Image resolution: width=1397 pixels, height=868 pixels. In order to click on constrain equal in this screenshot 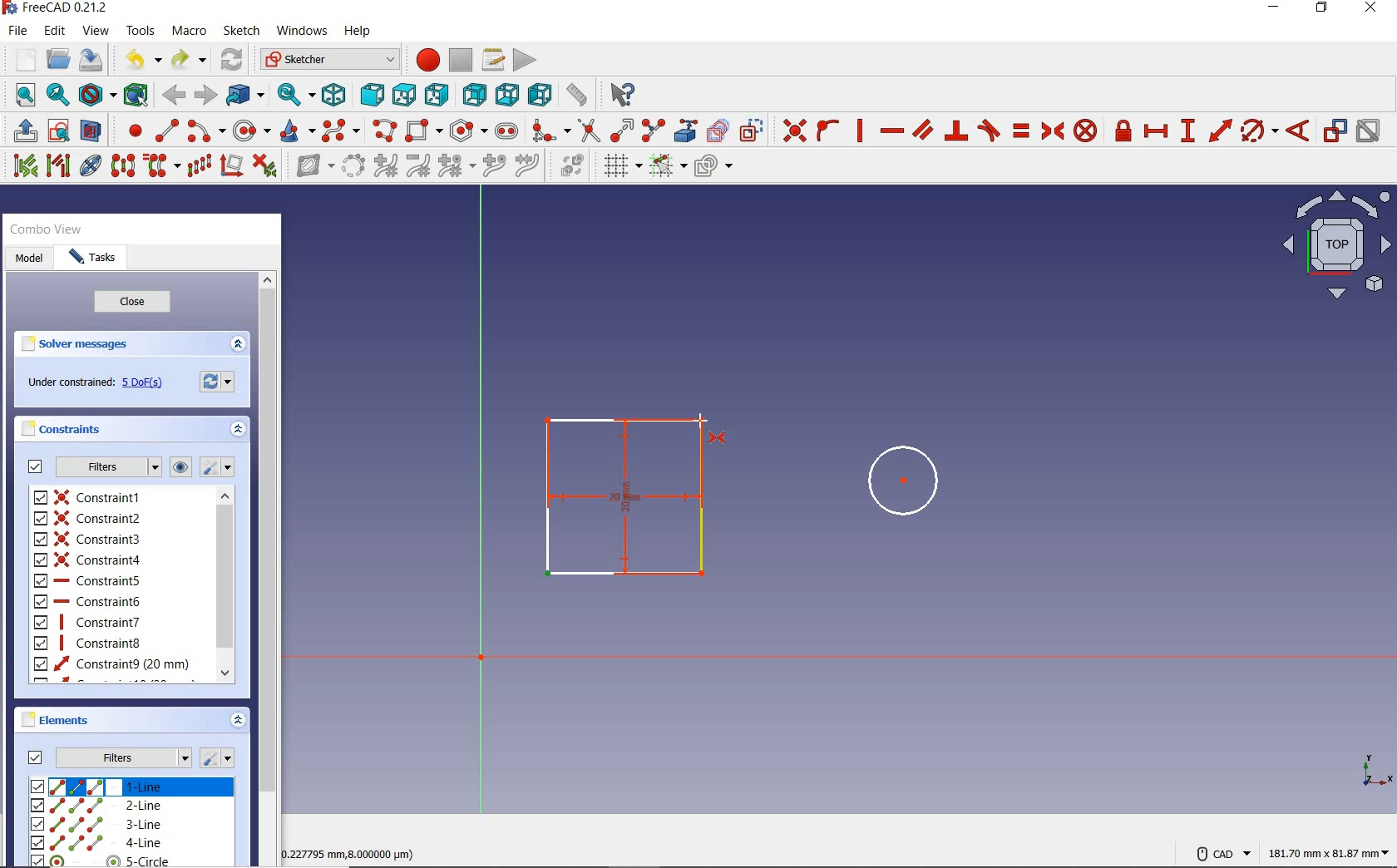, I will do `click(1021, 133)`.